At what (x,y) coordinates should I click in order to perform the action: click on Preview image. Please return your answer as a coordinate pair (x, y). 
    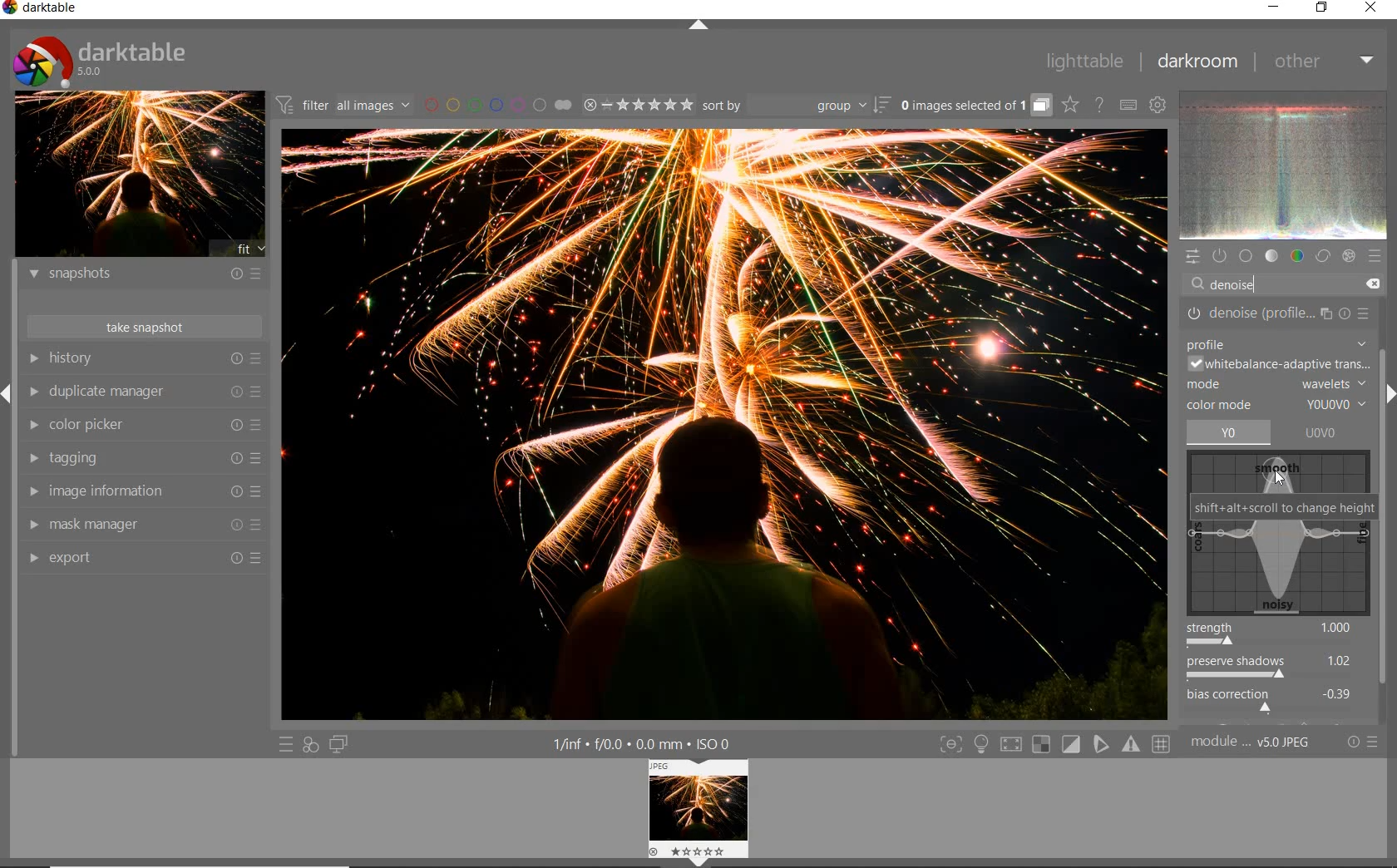
    Looking at the image, I should click on (713, 810).